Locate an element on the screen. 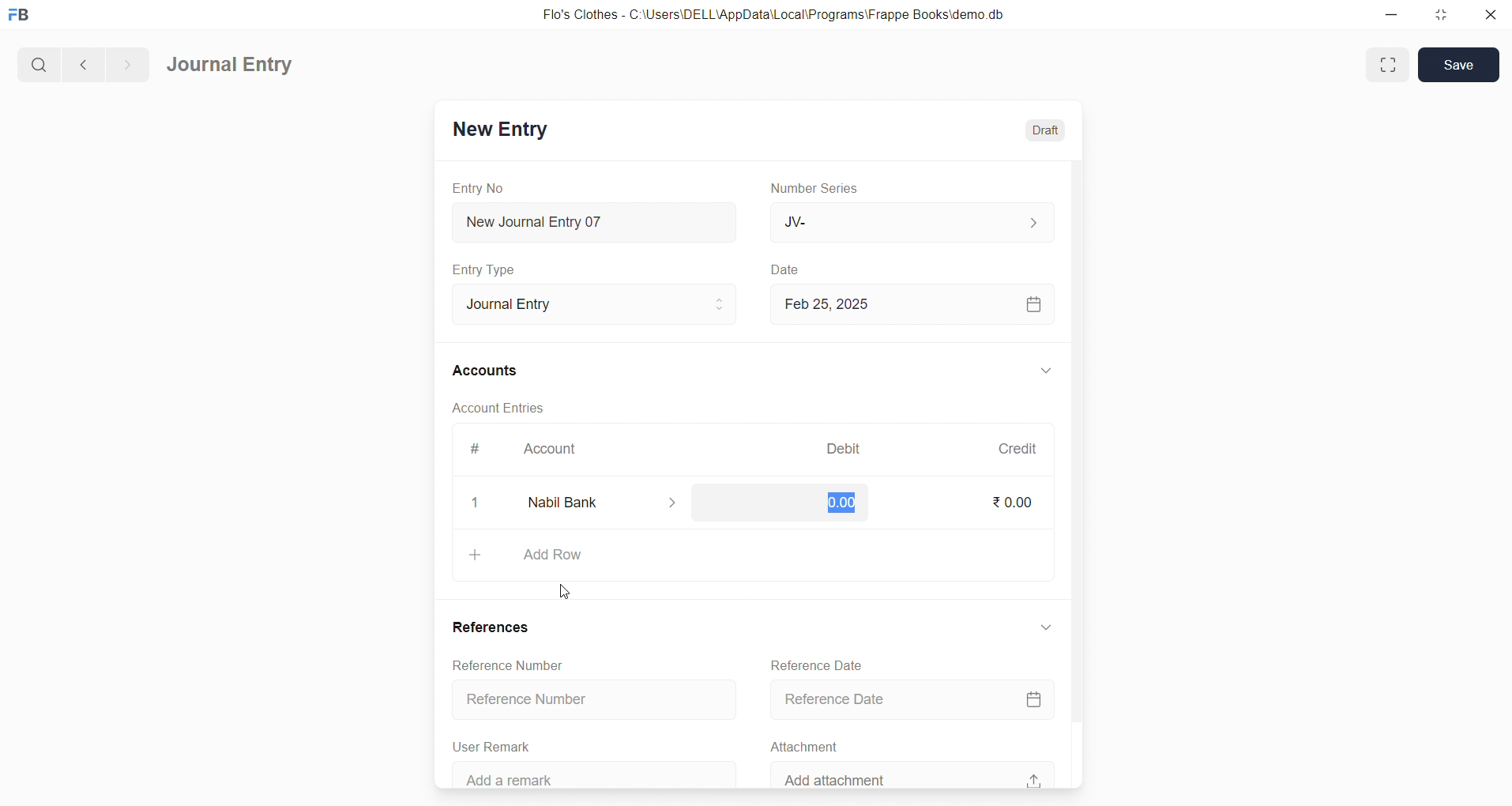 The width and height of the screenshot is (1512, 806). Reference Date is located at coordinates (818, 663).